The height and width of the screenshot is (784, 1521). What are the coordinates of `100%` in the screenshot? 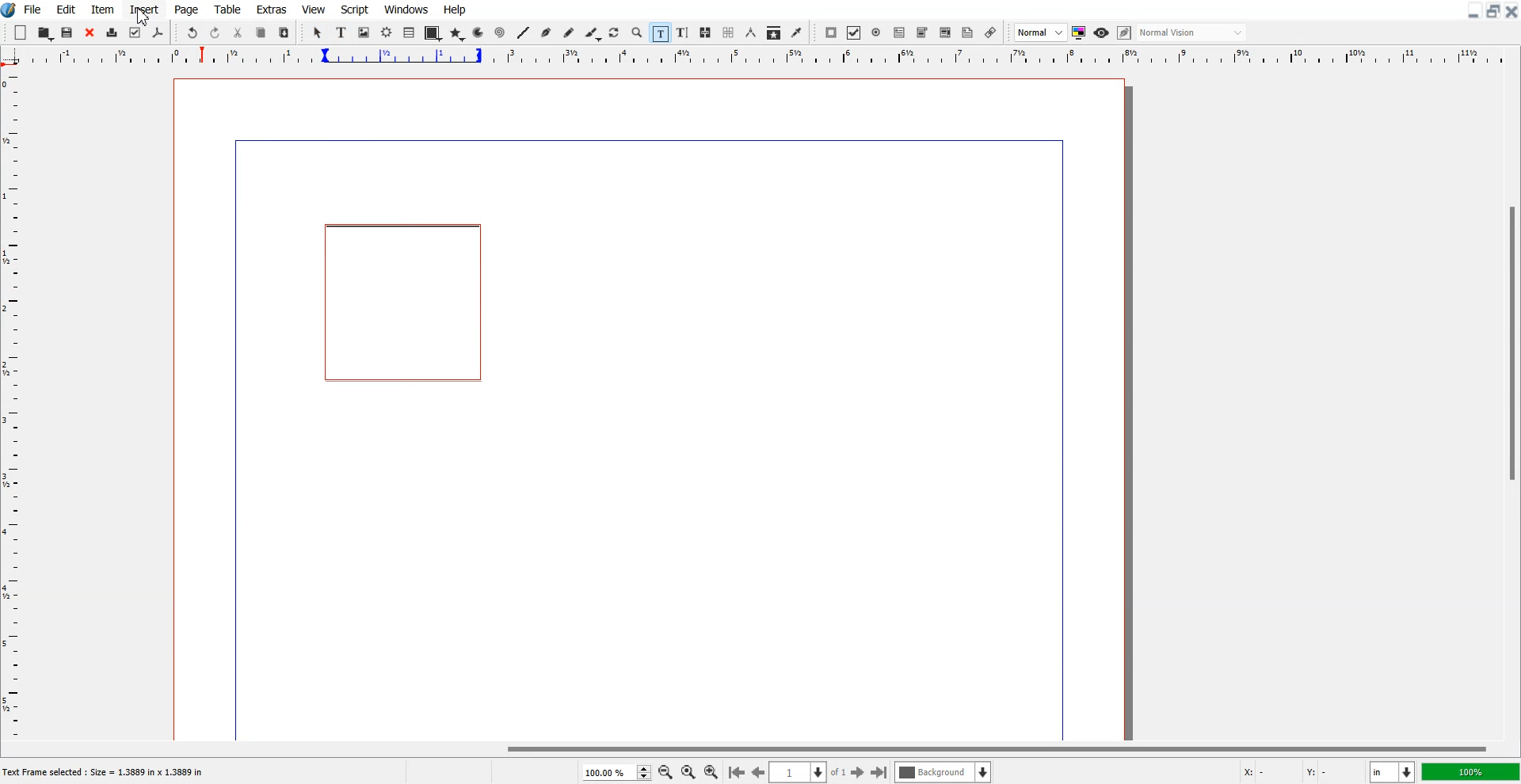 It's located at (1472, 771).